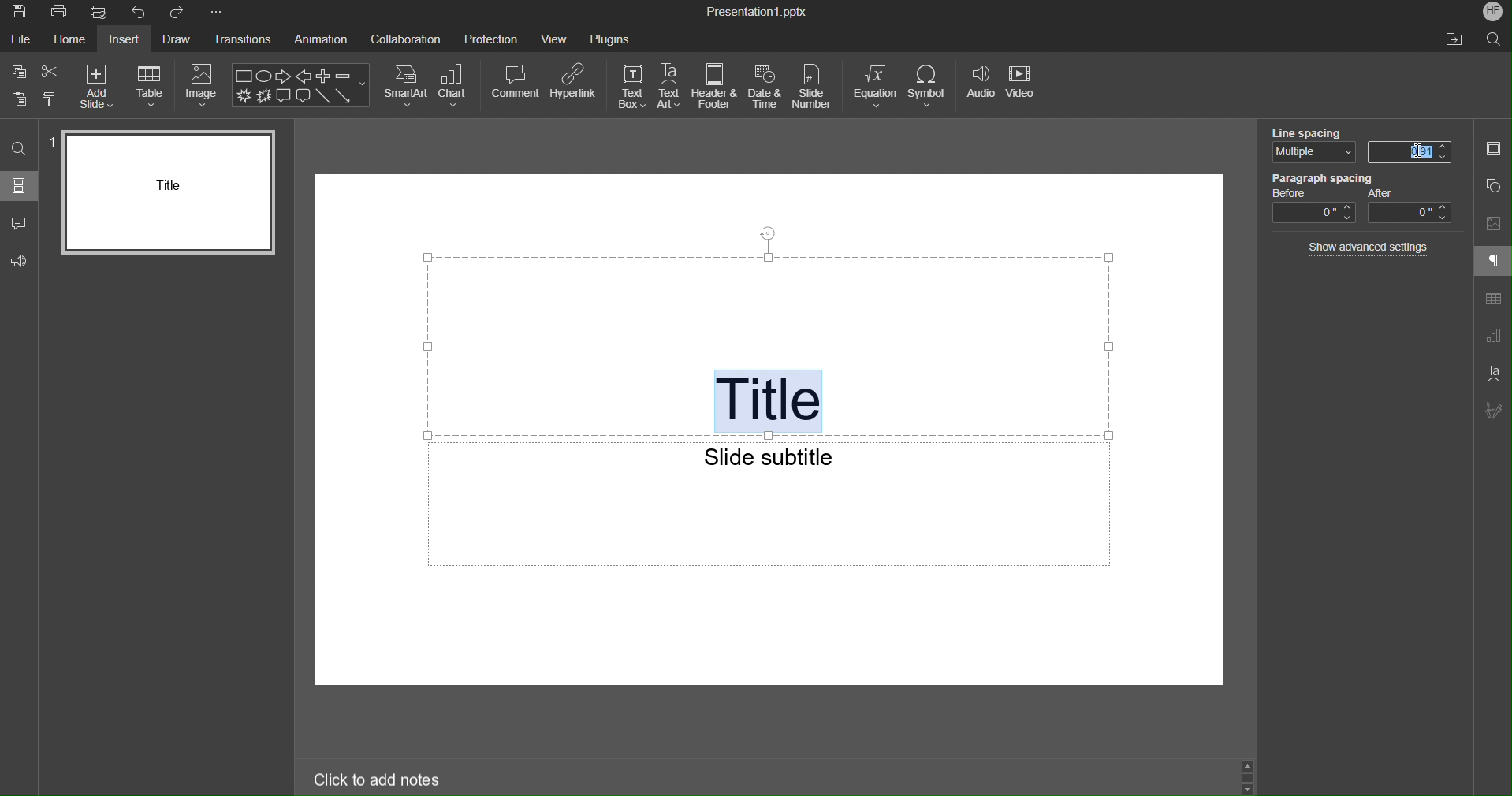 This screenshot has width=1512, height=796. I want to click on Add Slide, so click(99, 84).